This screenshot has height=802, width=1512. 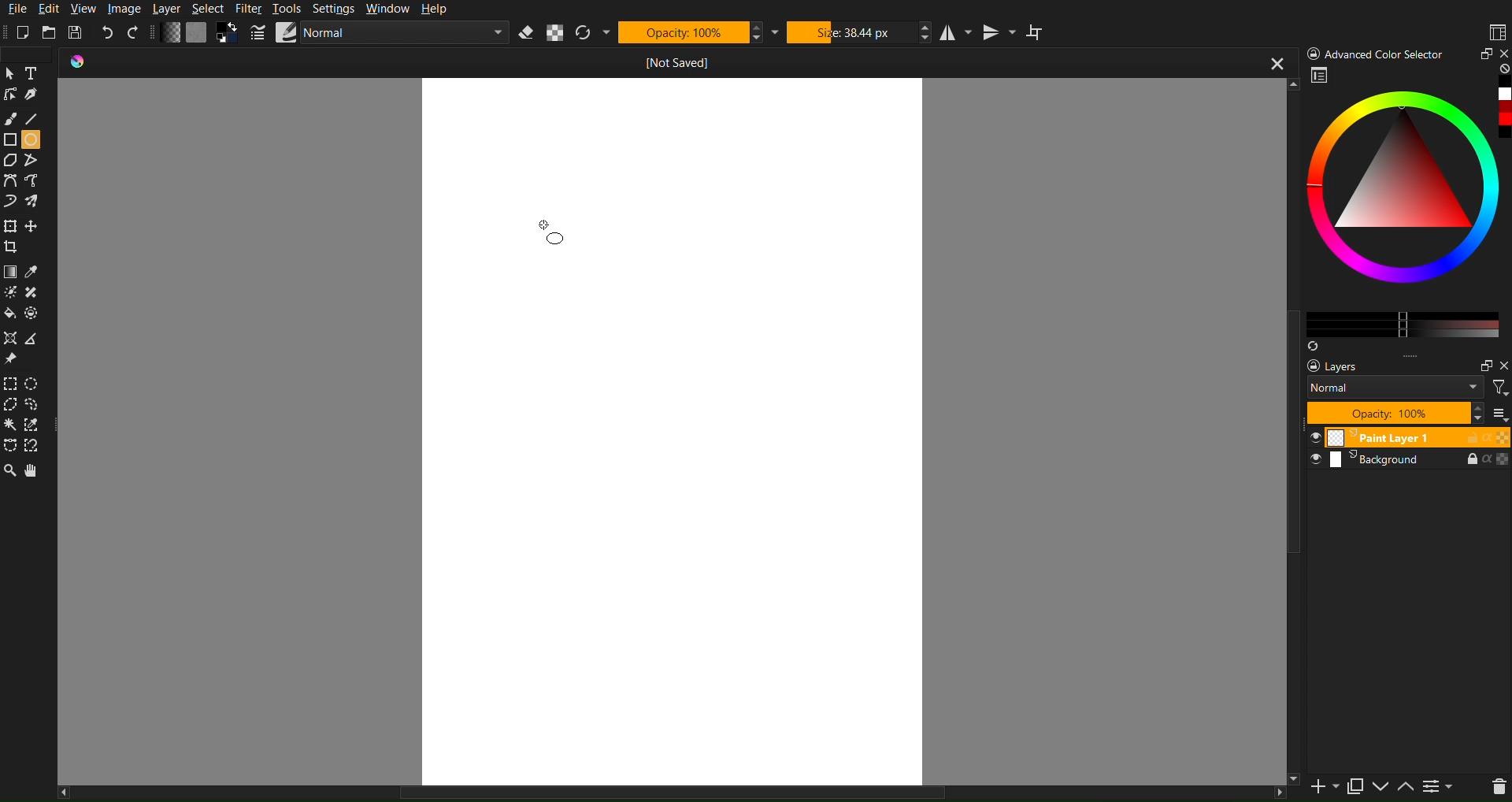 What do you see at coordinates (34, 273) in the screenshot?
I see `Color drop` at bounding box center [34, 273].